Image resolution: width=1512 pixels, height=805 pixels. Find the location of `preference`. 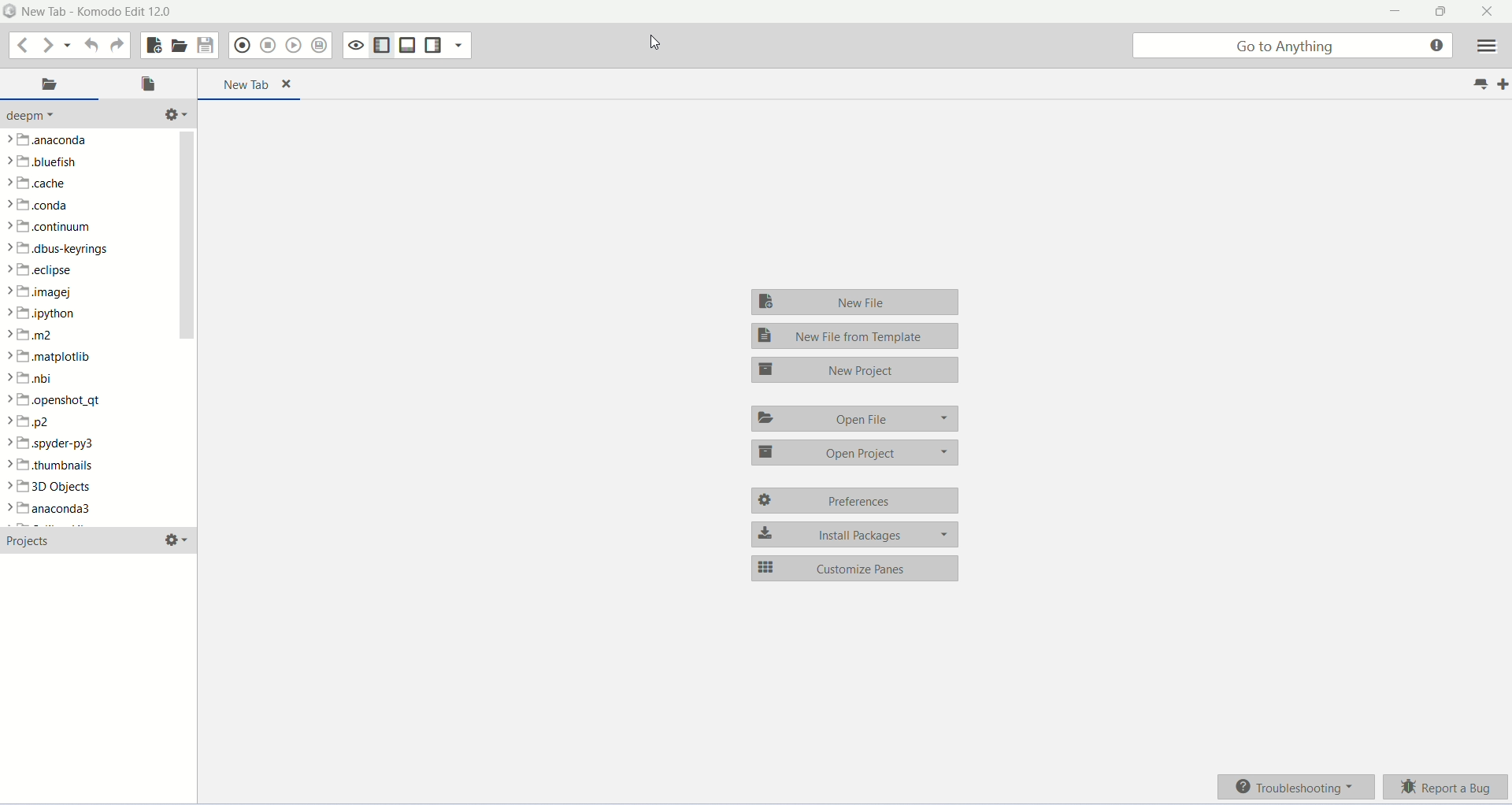

preference is located at coordinates (853, 500).